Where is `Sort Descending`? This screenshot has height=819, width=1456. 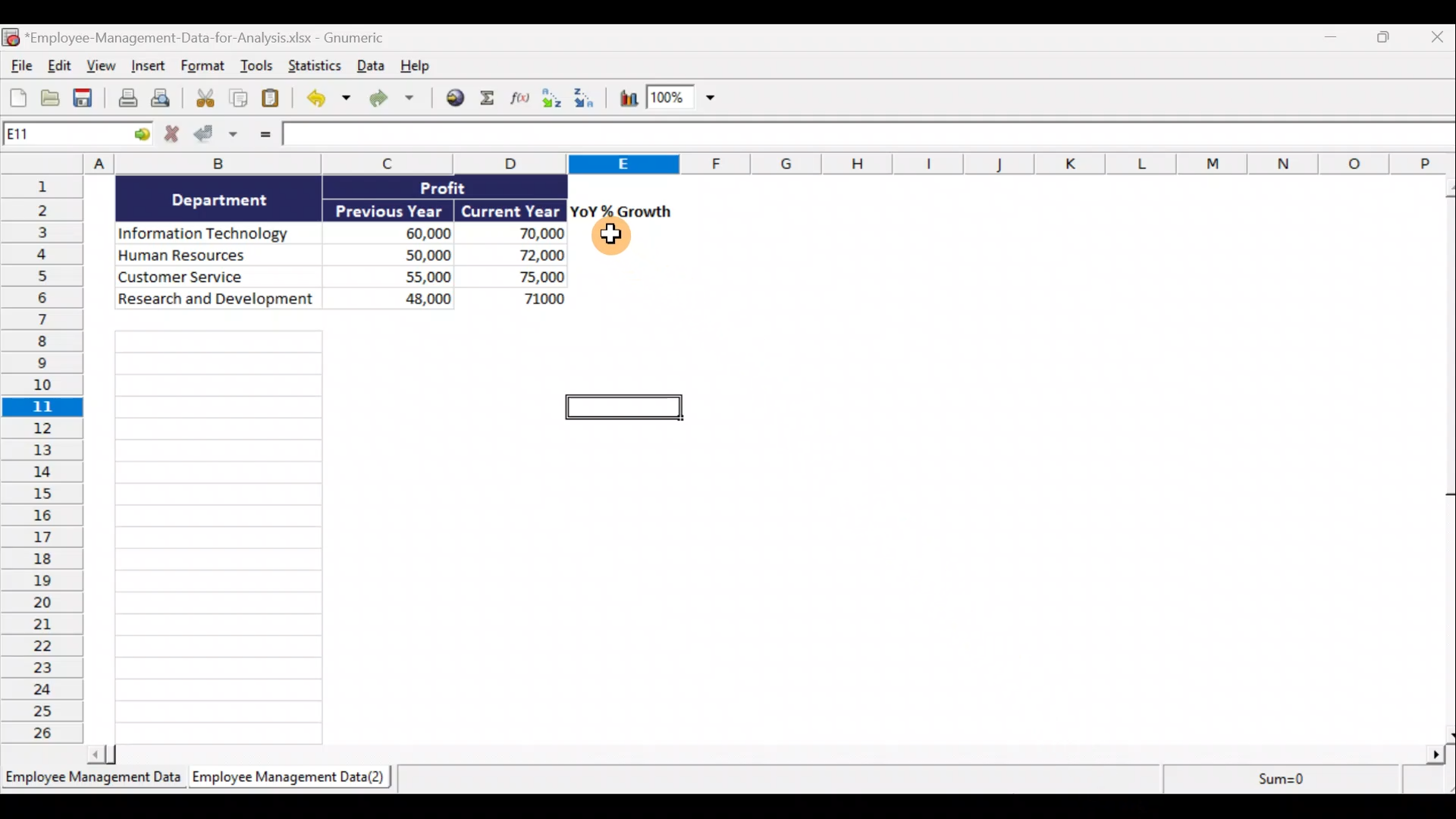
Sort Descending is located at coordinates (587, 100).